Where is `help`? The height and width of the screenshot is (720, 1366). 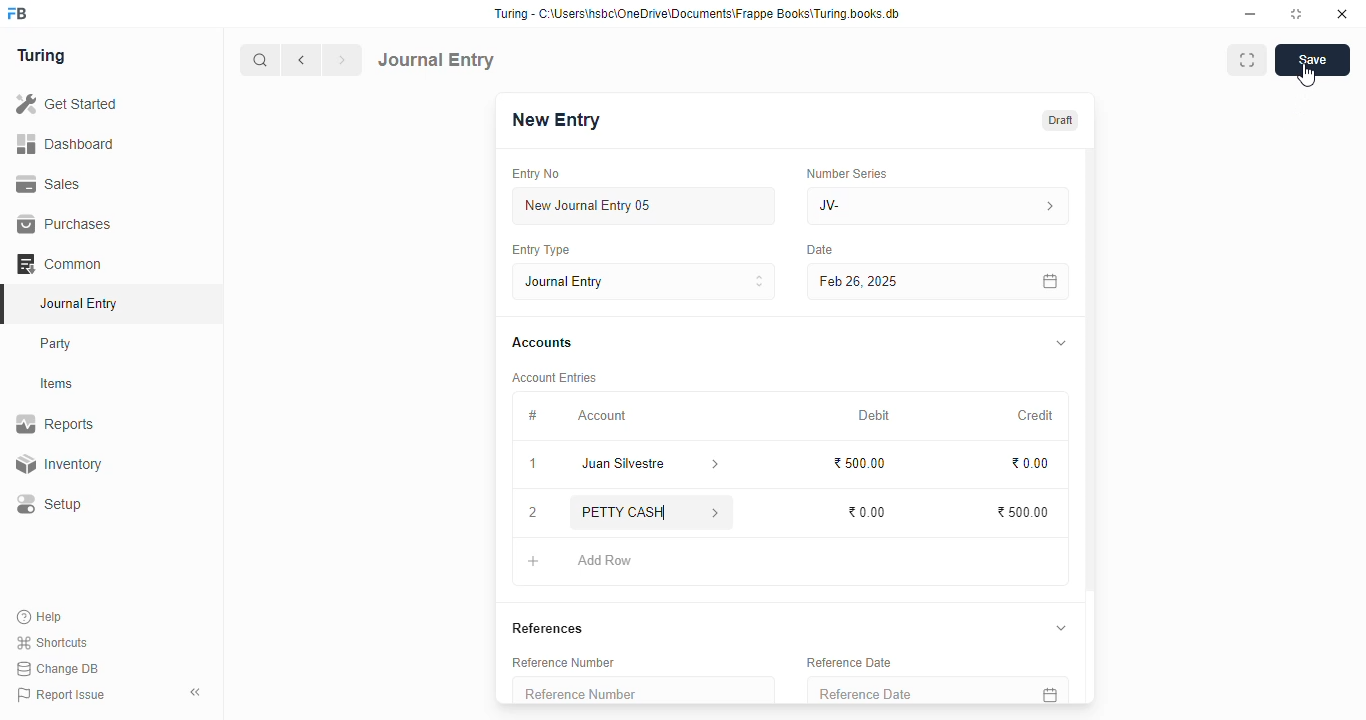 help is located at coordinates (41, 616).